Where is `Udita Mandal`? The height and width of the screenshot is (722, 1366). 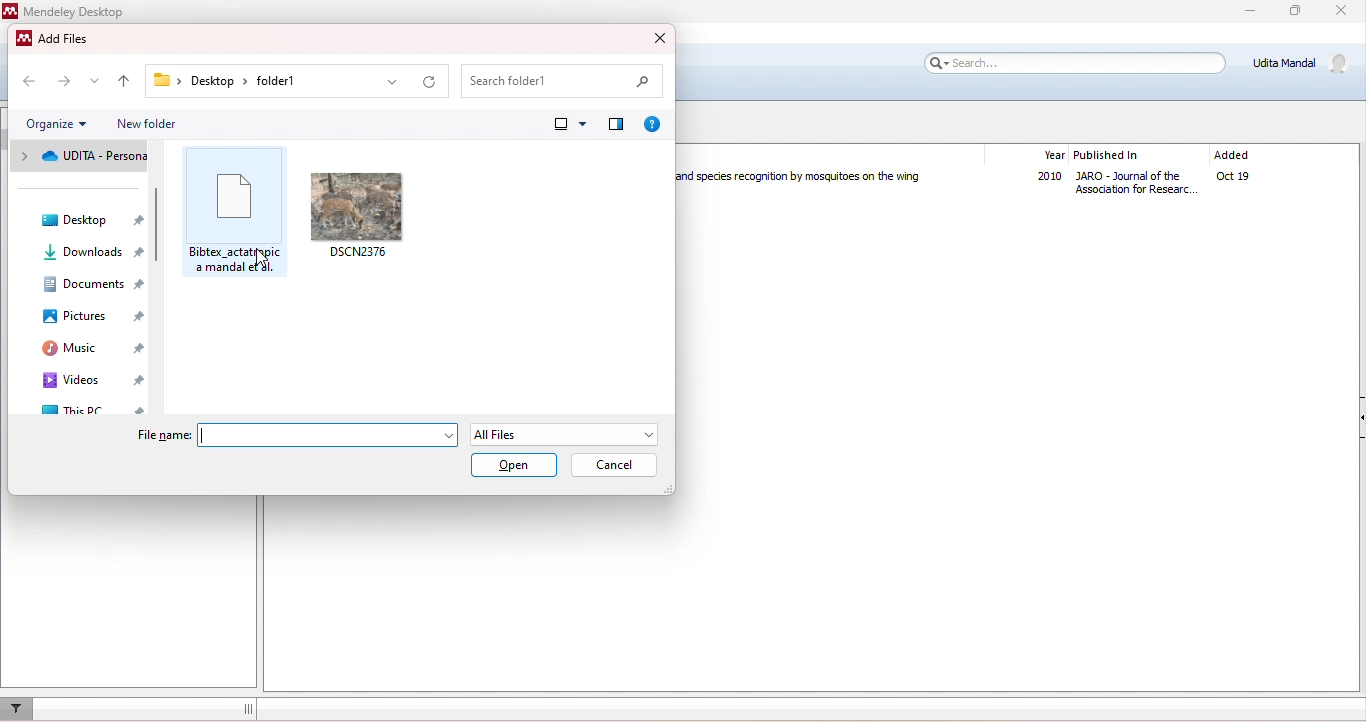
Udita Mandal is located at coordinates (1300, 61).